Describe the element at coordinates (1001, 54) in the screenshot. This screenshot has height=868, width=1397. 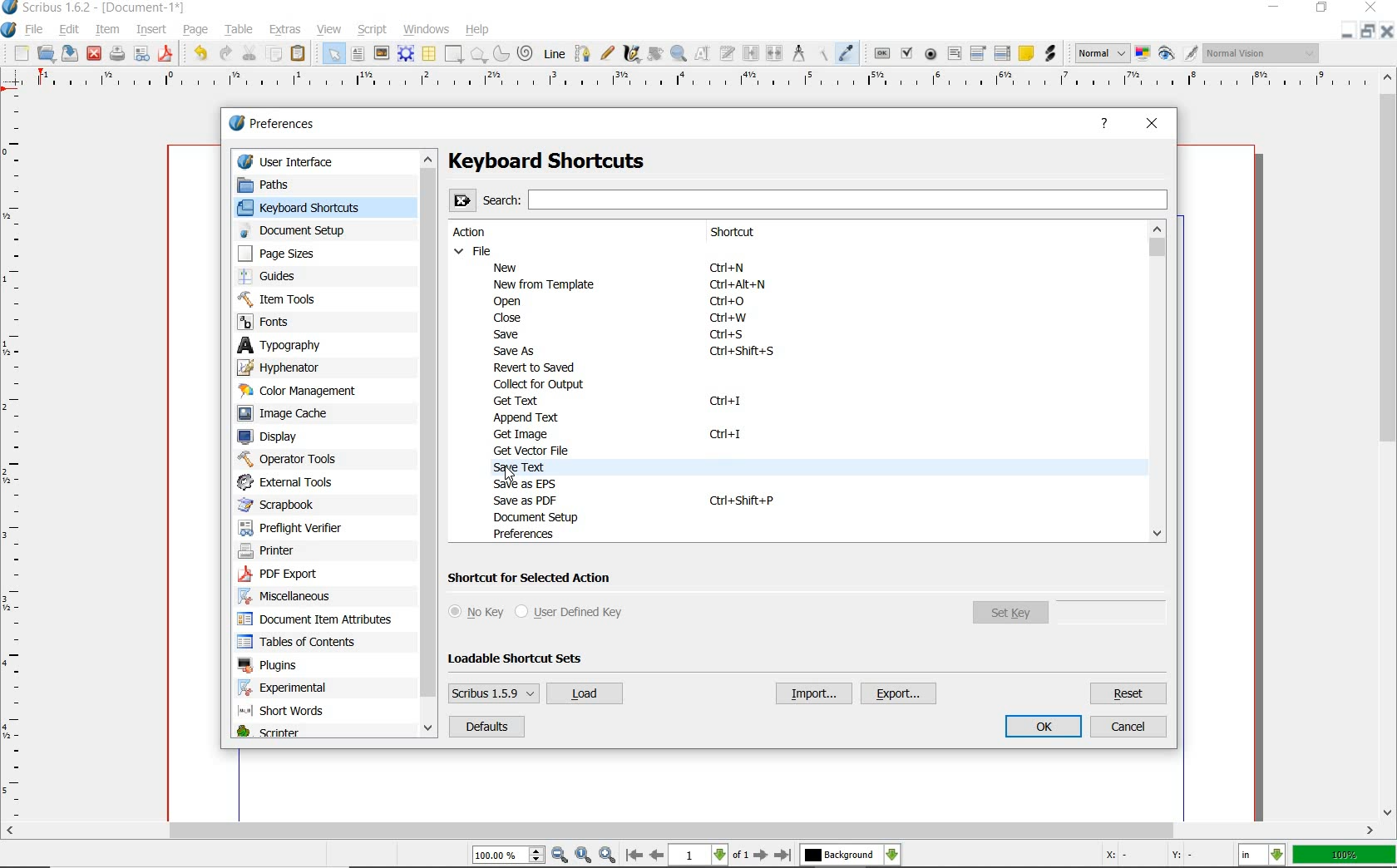
I see `pdf list box` at that location.